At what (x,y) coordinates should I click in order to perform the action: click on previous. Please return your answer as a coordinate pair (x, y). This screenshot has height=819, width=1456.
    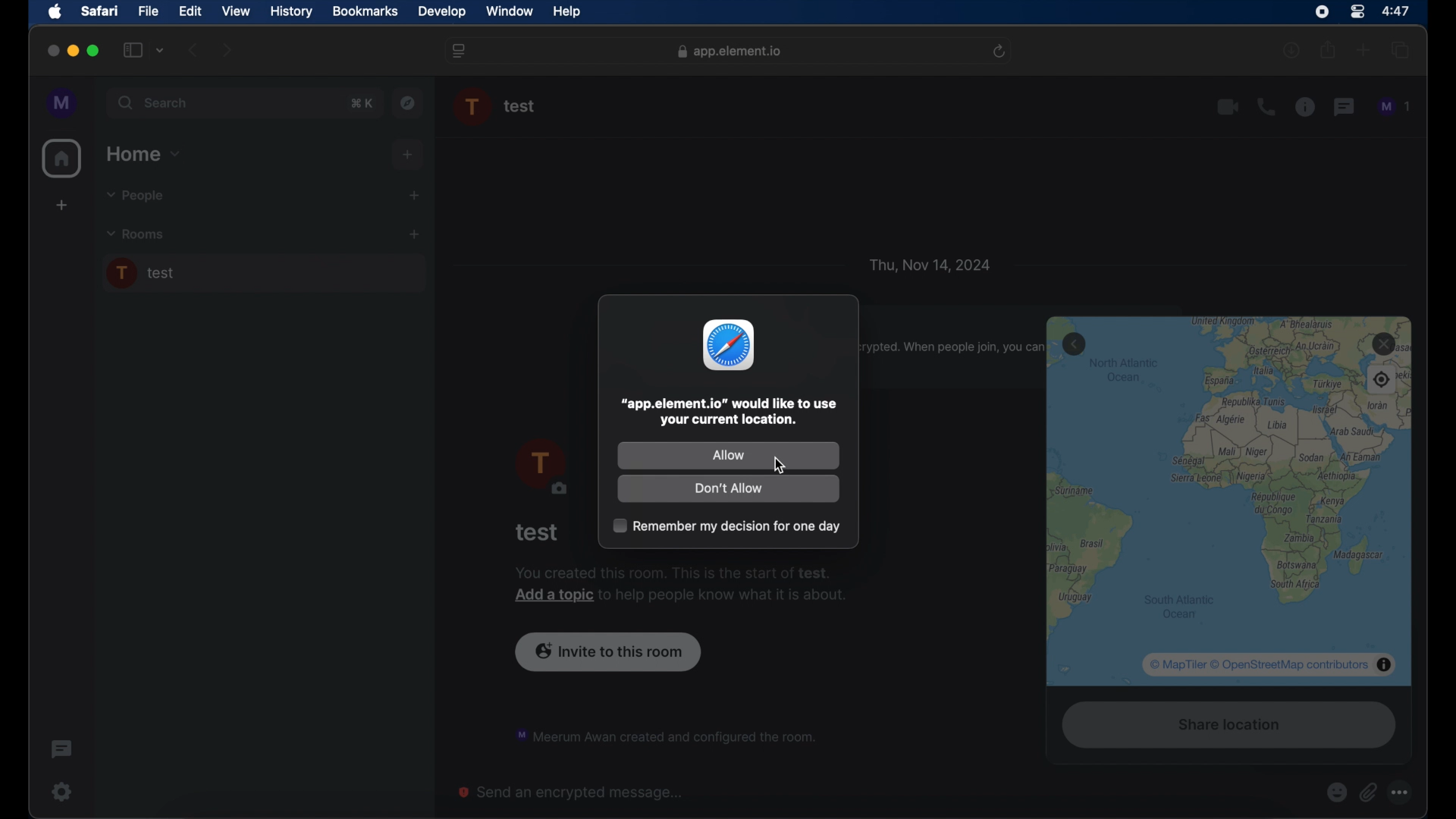
    Looking at the image, I should click on (194, 50).